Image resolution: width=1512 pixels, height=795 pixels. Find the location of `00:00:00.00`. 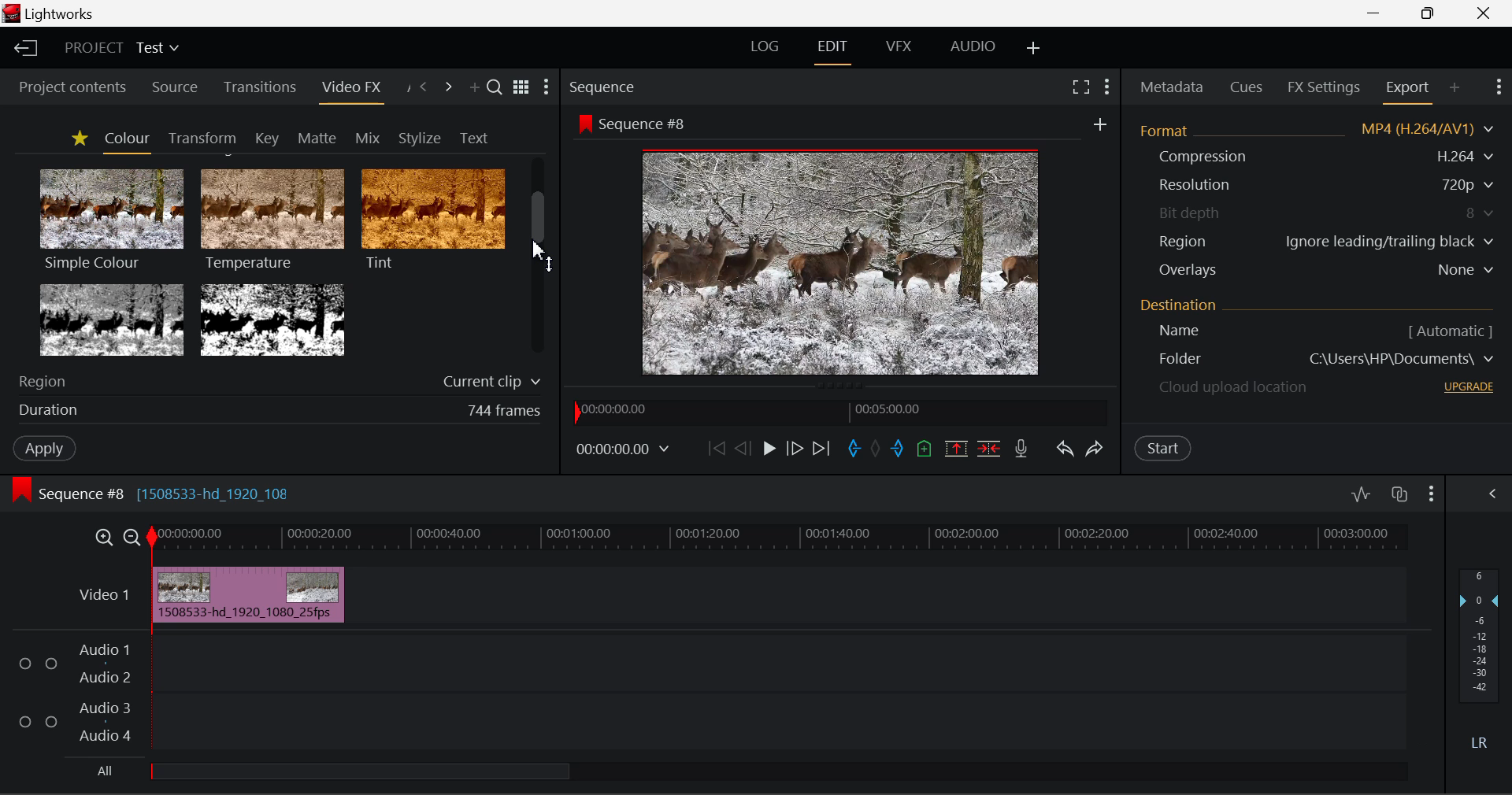

00:00:00.00 is located at coordinates (617, 410).